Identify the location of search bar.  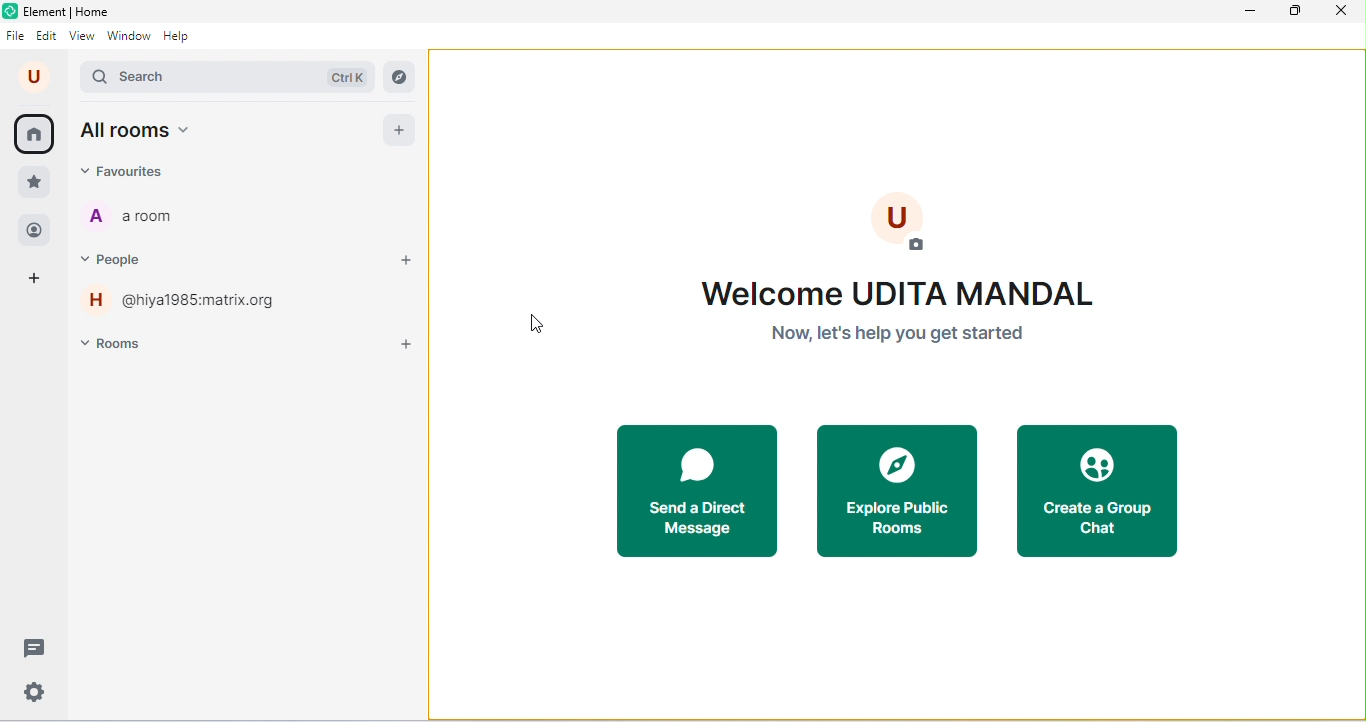
(224, 77).